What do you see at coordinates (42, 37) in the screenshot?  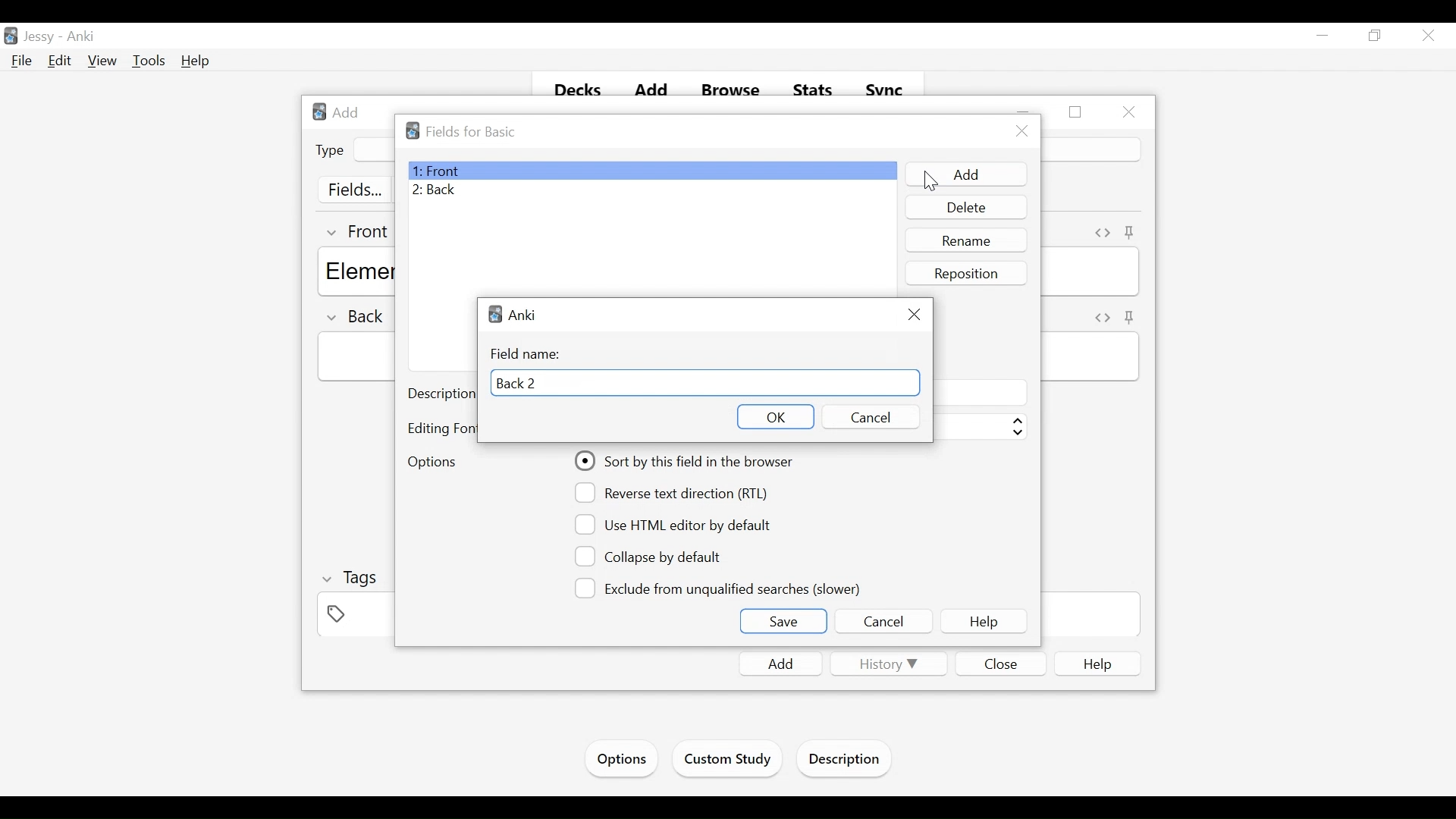 I see `User Name` at bounding box center [42, 37].